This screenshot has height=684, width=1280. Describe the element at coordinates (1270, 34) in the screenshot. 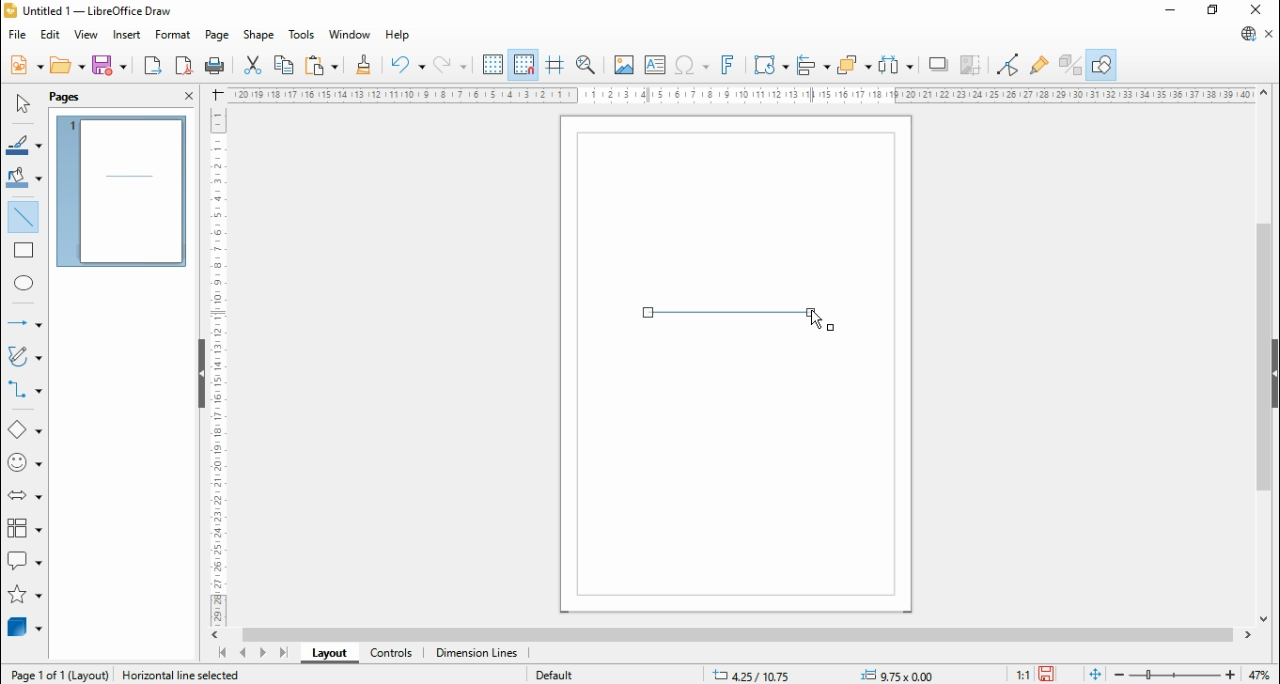

I see `close document` at that location.